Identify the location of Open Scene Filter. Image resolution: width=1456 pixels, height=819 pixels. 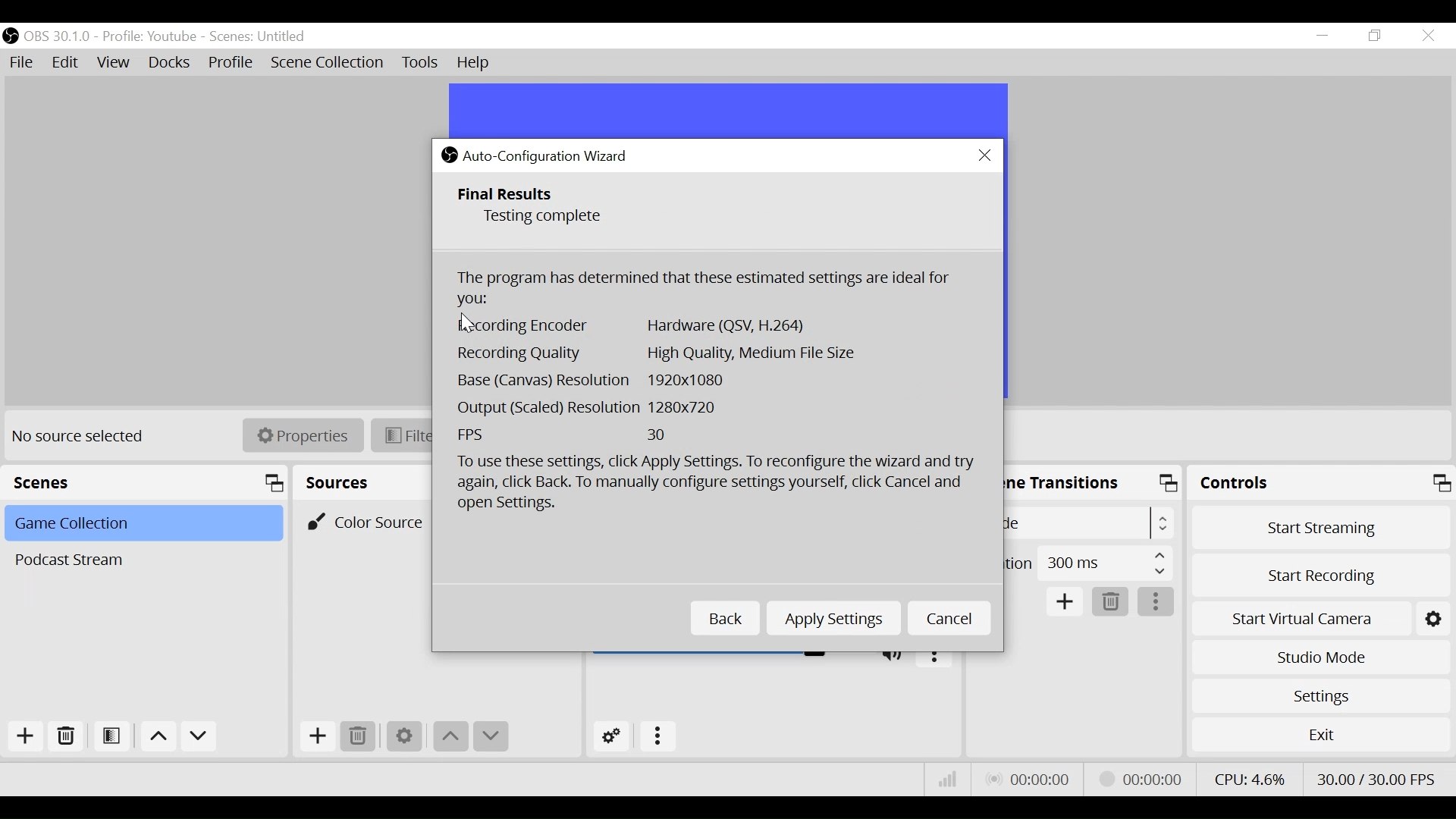
(111, 736).